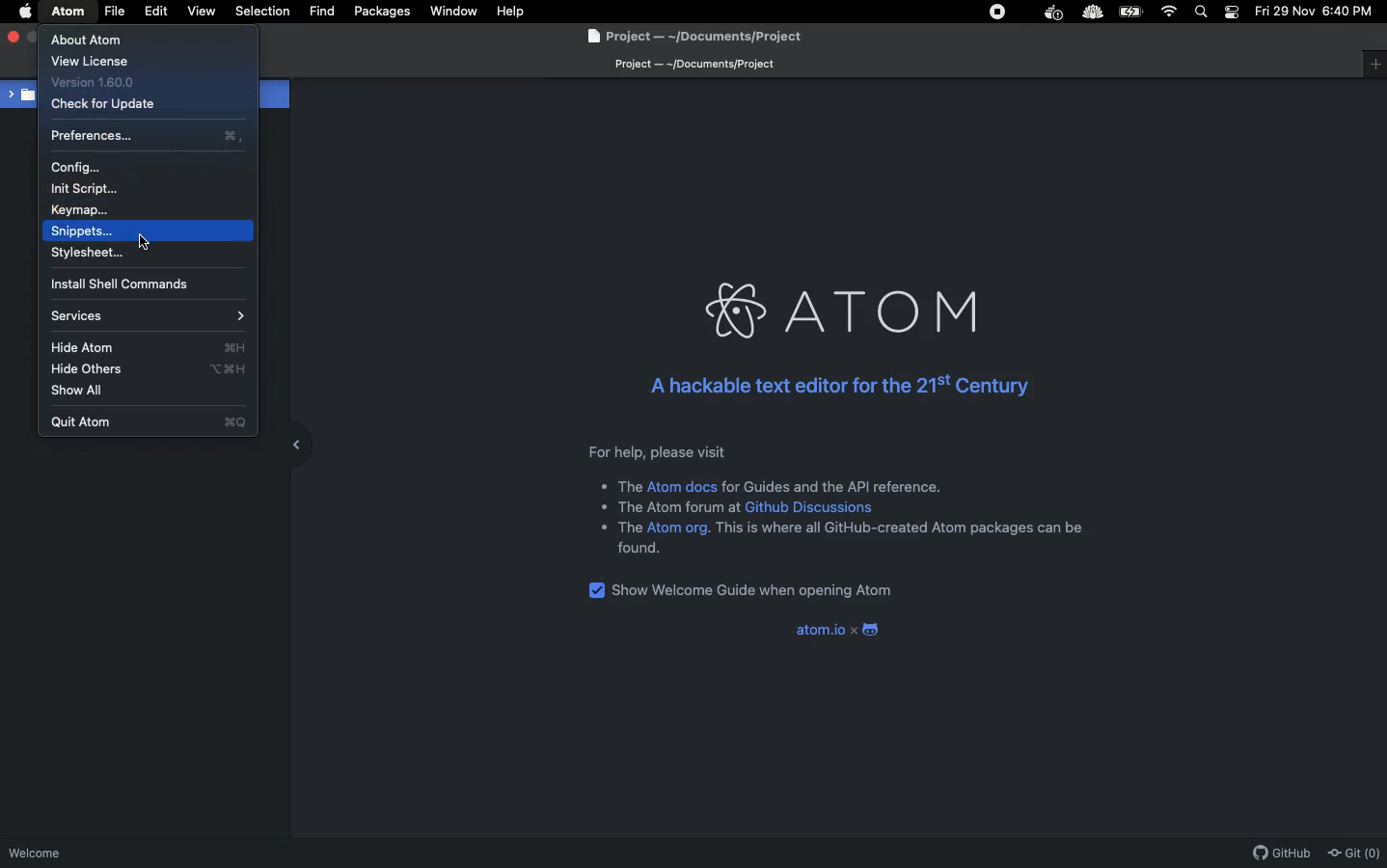 The width and height of the screenshot is (1387, 868). Describe the element at coordinates (150, 316) in the screenshot. I see `Service` at that location.